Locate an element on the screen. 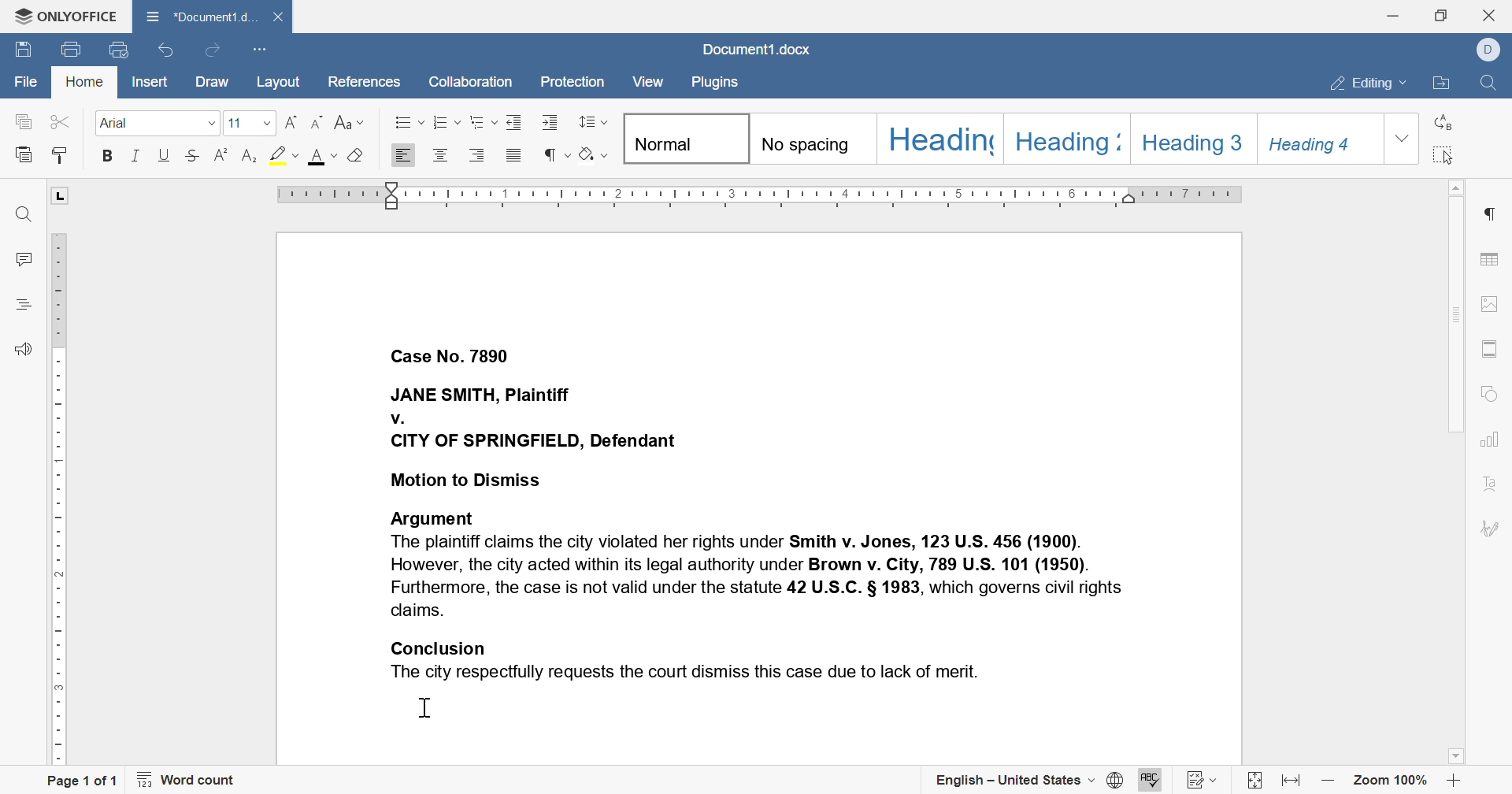 The image size is (1512, 794). file is located at coordinates (23, 79).